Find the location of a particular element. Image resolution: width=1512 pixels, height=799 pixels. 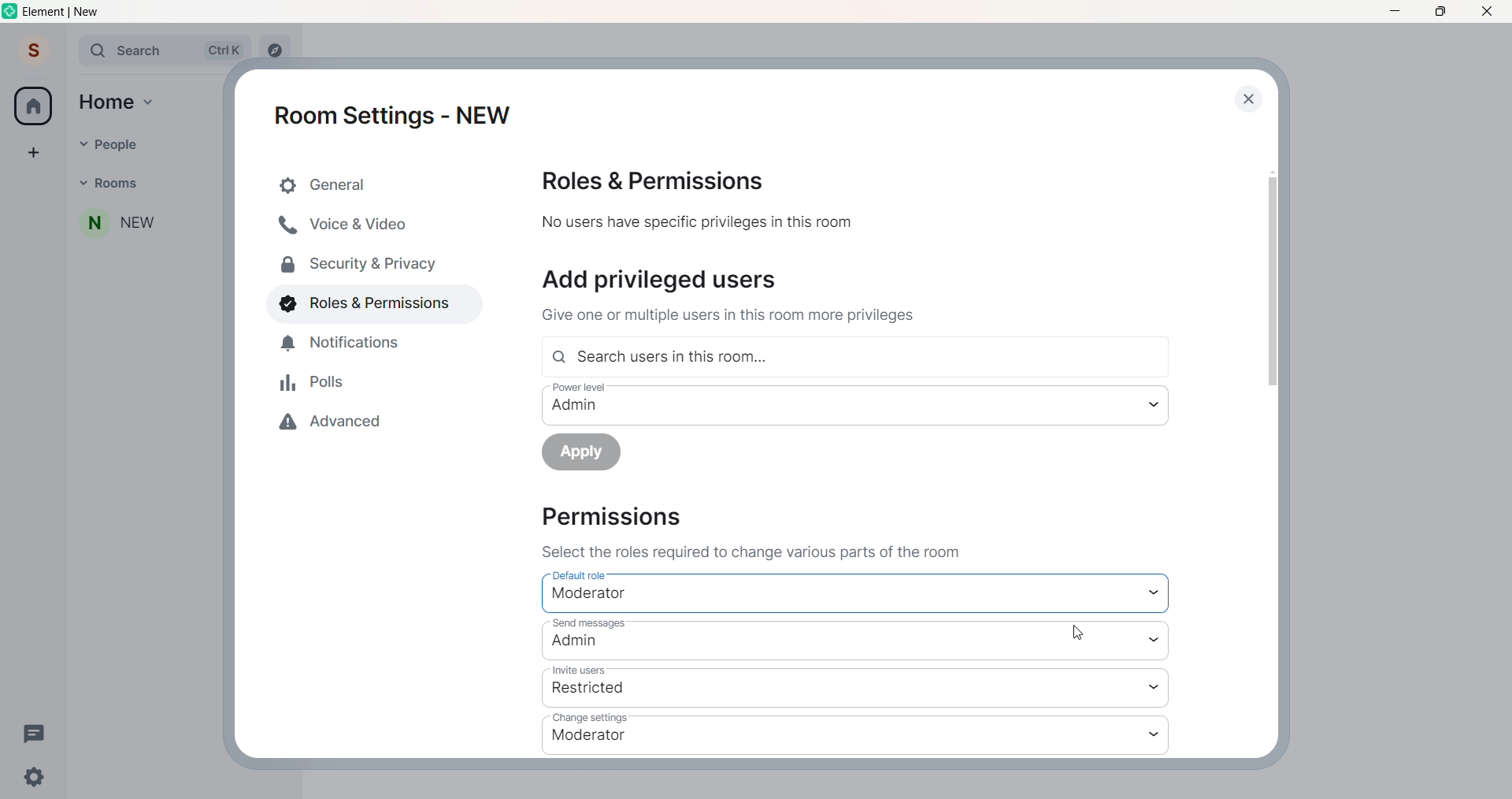

add users is located at coordinates (662, 278).